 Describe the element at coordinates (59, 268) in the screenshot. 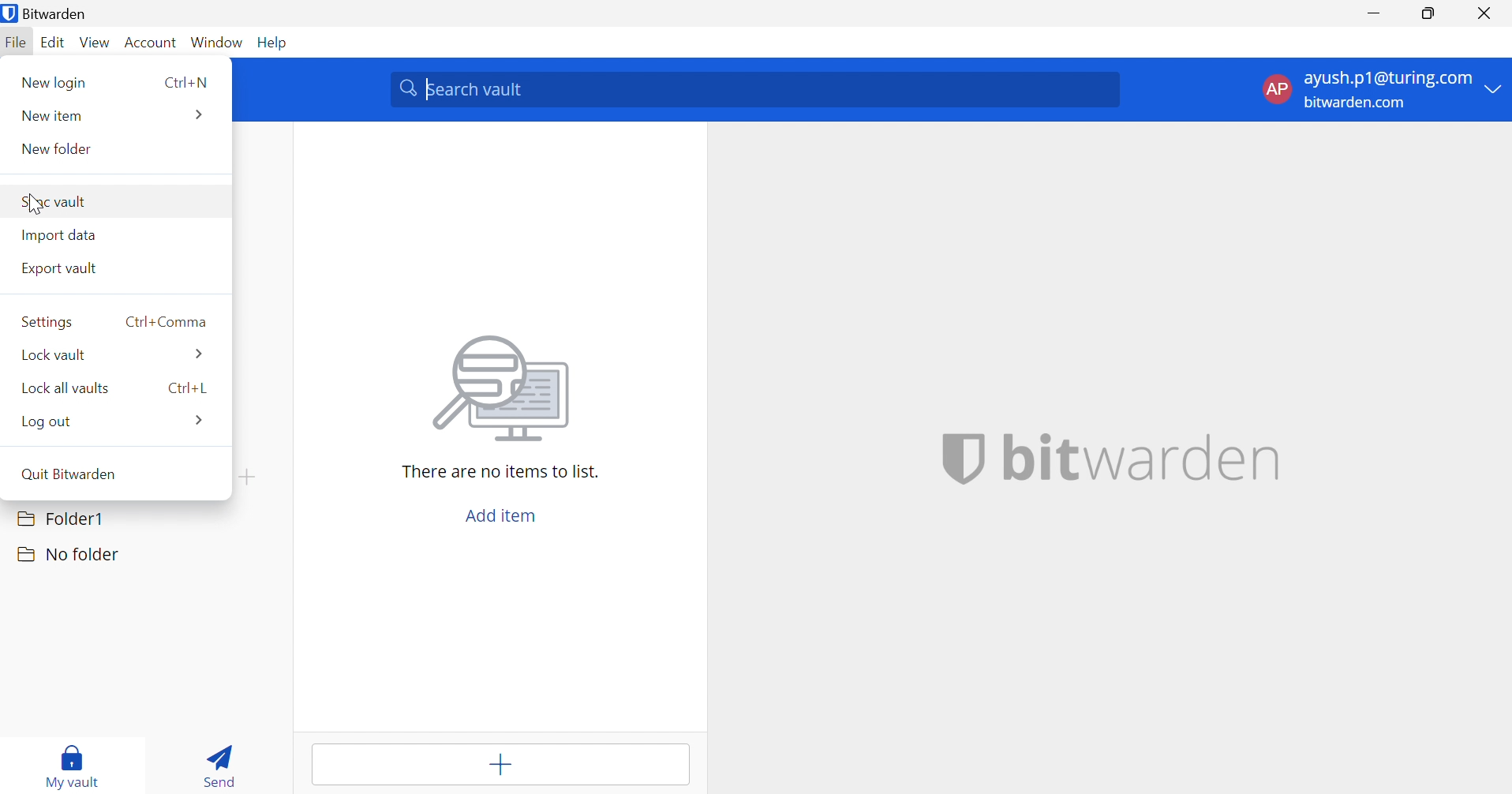

I see `Export Vault` at that location.